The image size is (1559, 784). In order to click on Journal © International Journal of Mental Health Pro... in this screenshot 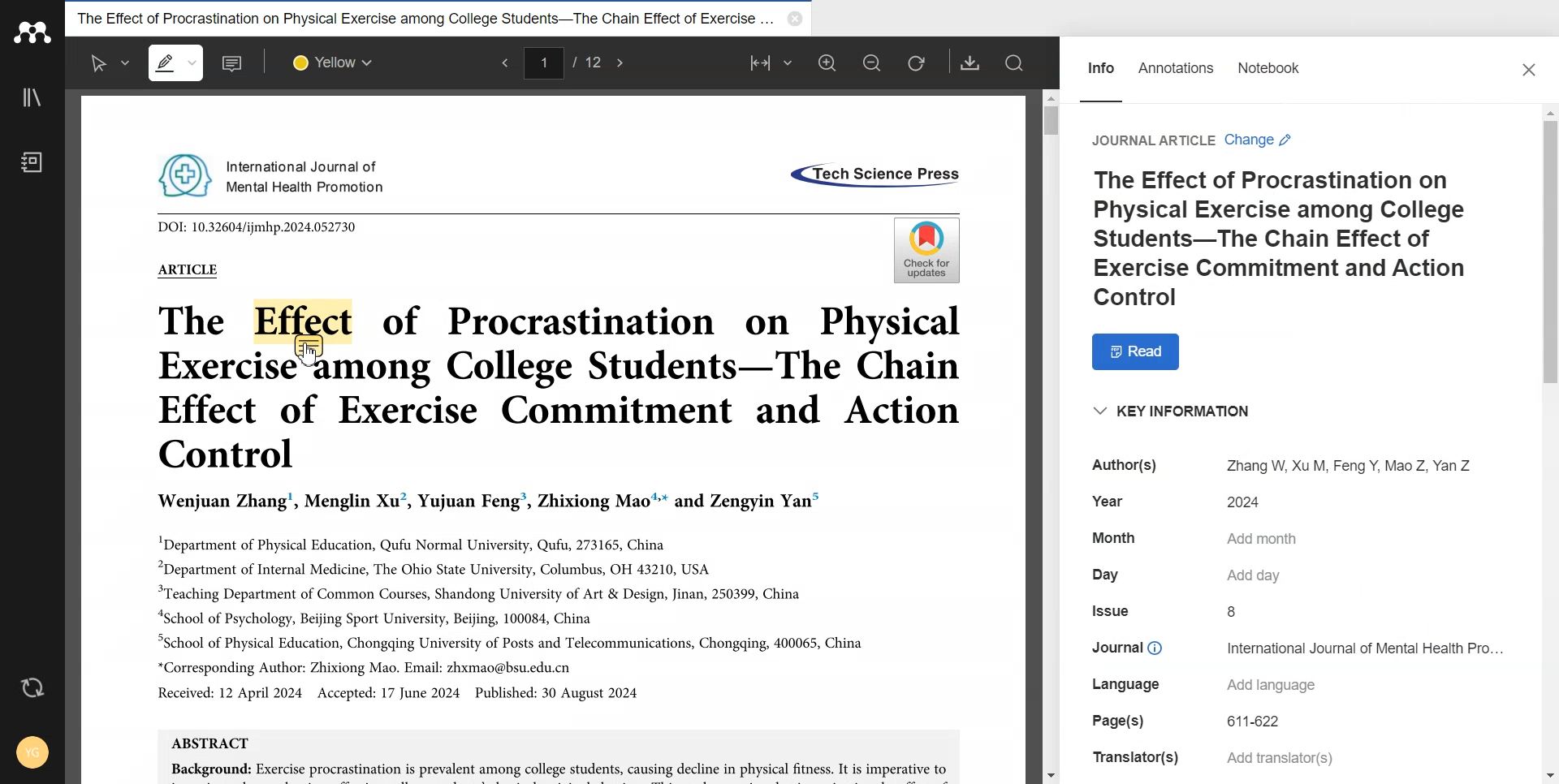, I will do `click(1299, 646)`.